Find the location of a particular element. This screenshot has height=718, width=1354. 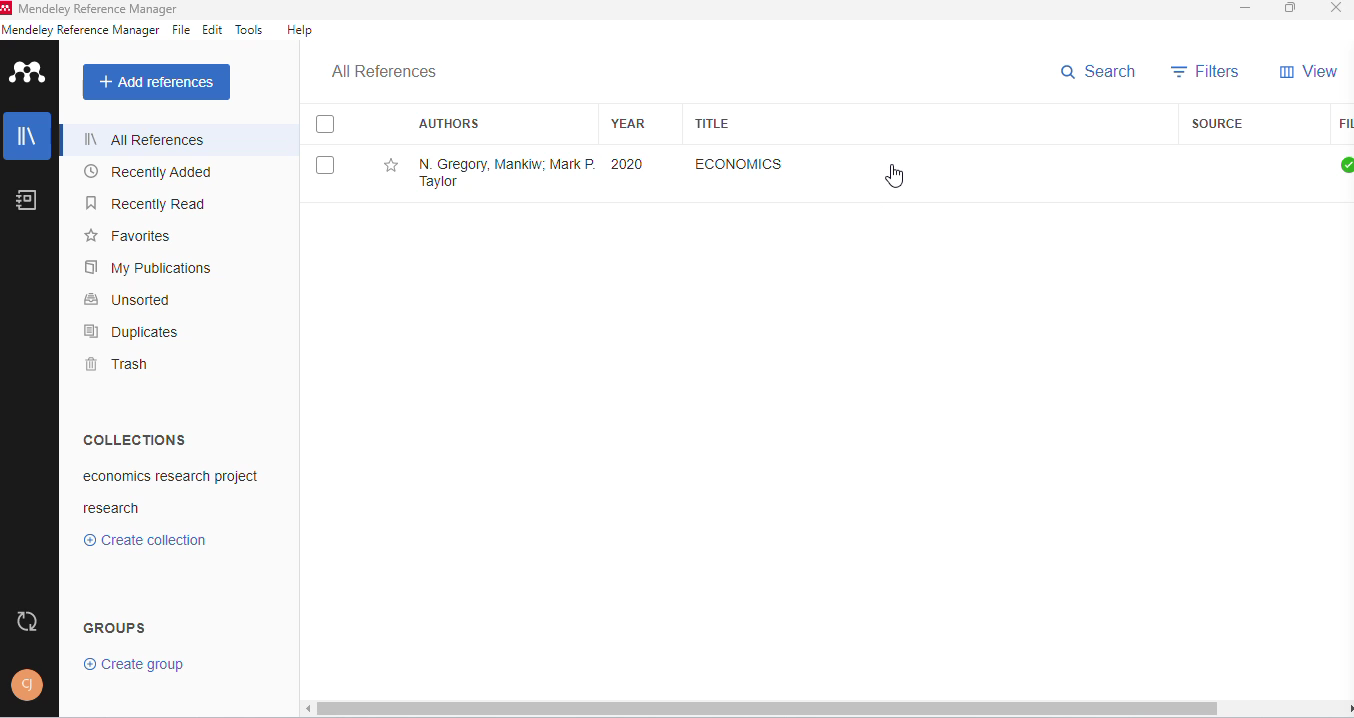

maximize is located at coordinates (1291, 9).